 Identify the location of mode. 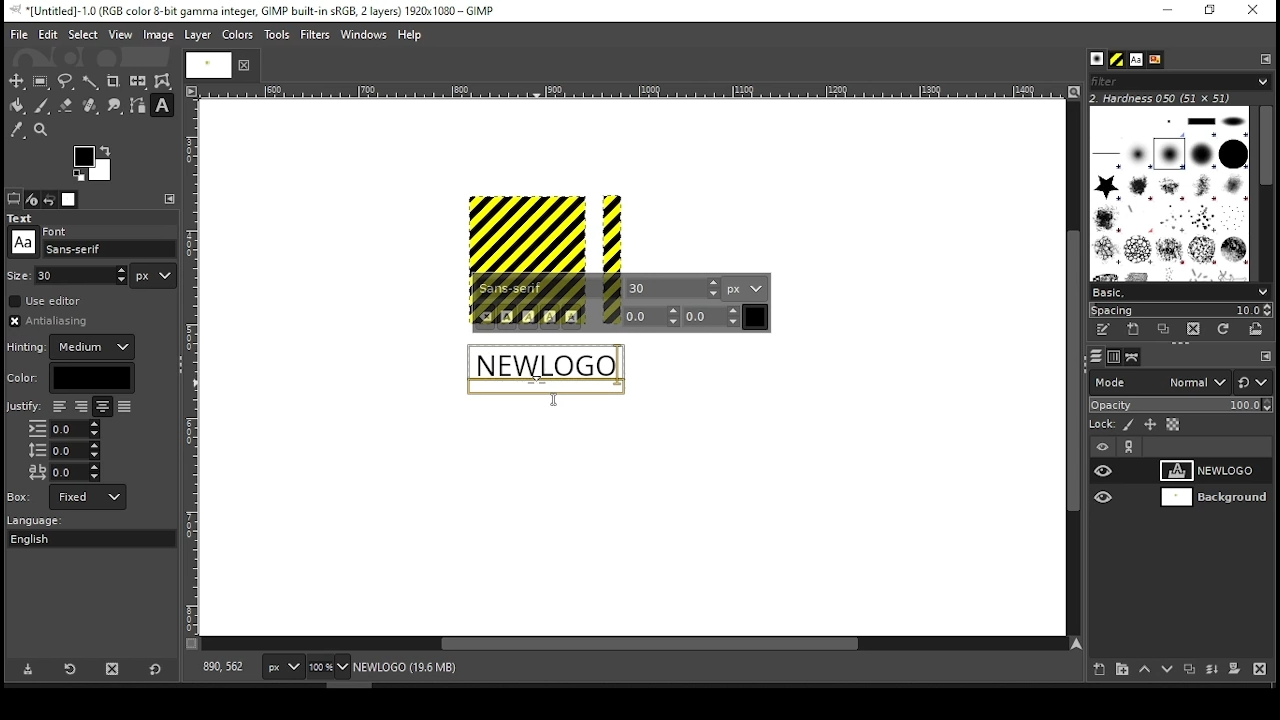
(1159, 384).